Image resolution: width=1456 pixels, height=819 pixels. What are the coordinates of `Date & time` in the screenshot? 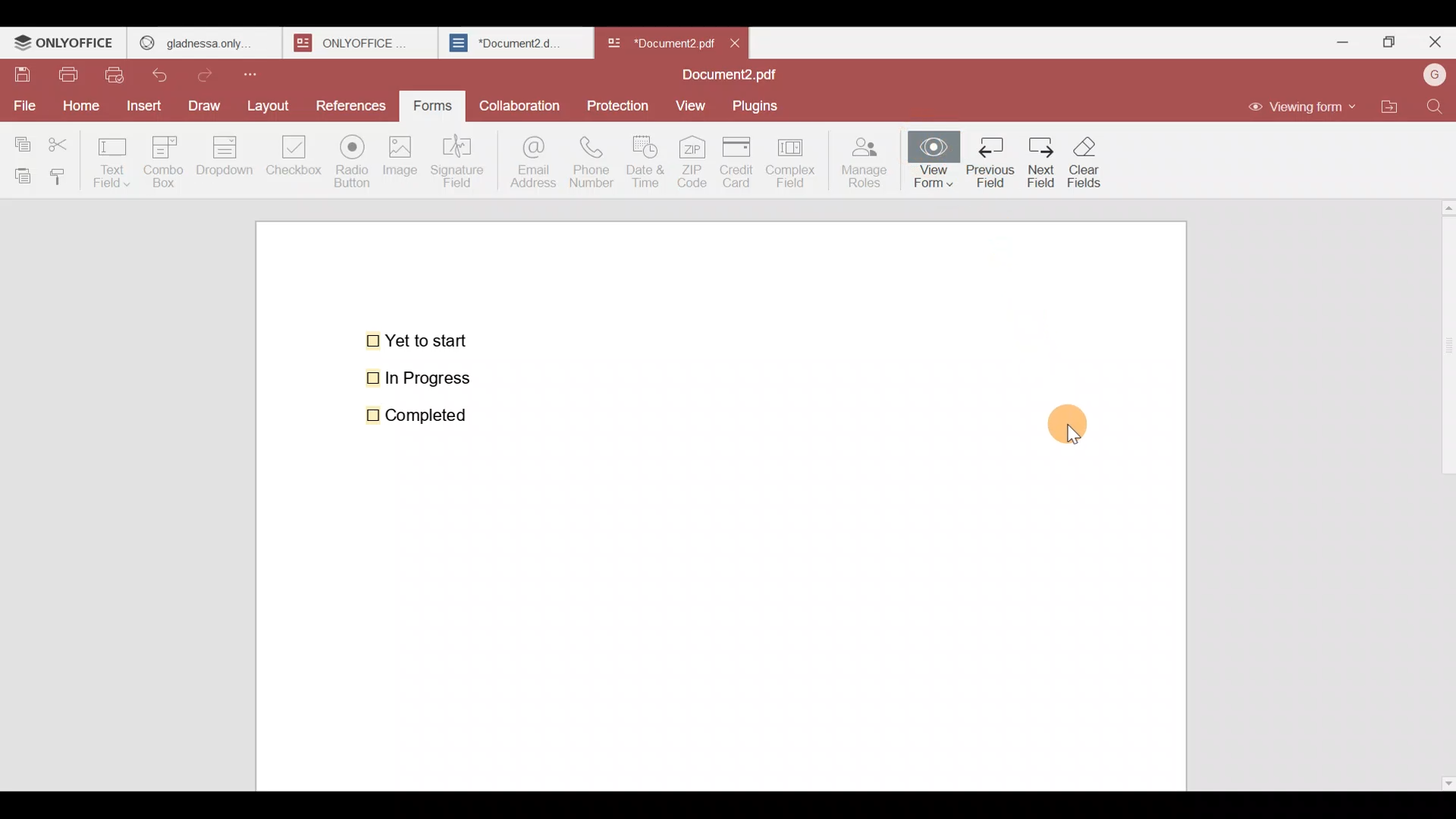 It's located at (649, 162).